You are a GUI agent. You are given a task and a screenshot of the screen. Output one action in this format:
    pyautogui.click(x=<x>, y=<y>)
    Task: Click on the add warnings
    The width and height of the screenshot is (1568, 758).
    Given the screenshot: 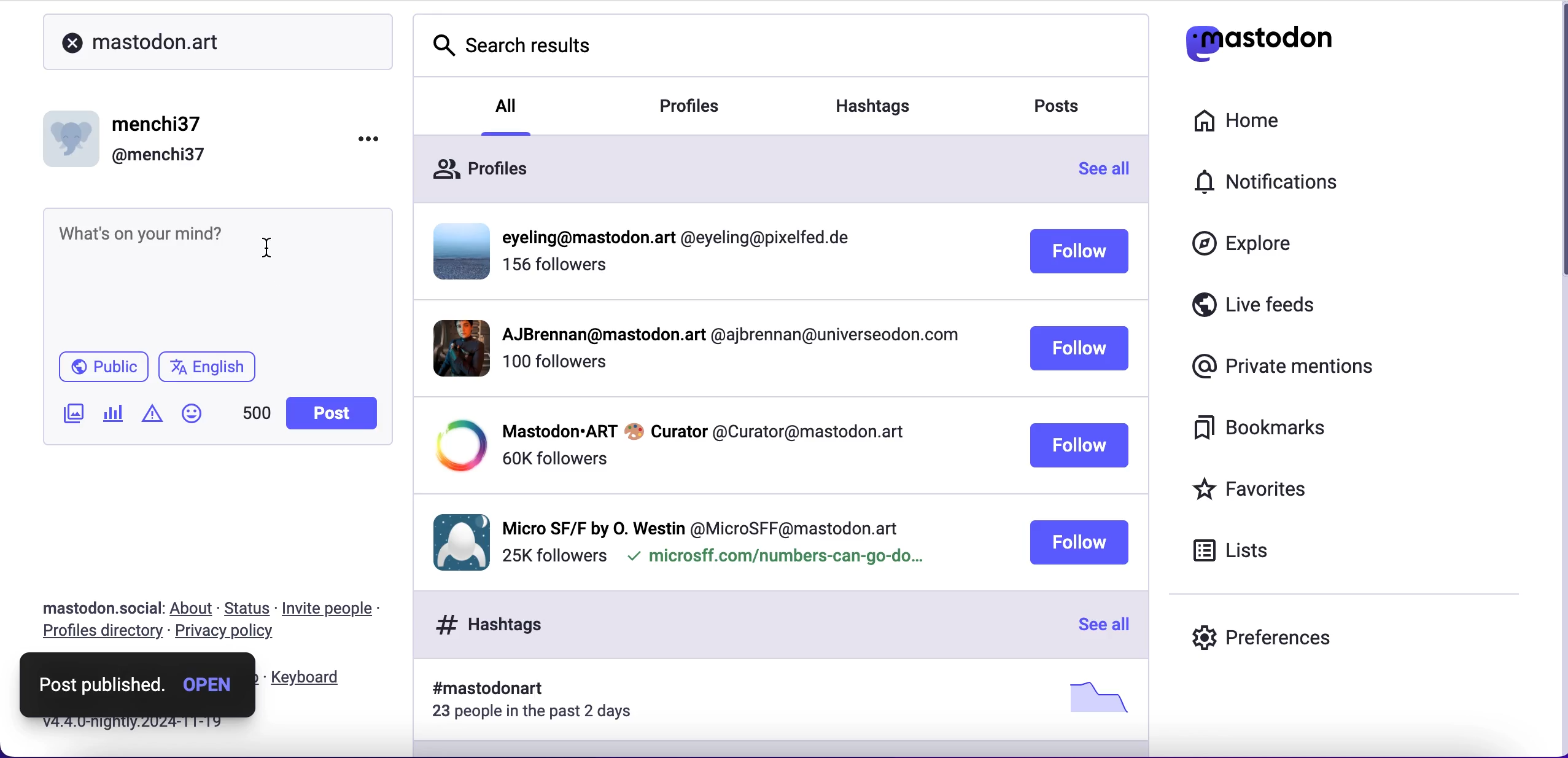 What is the action you would take?
    pyautogui.click(x=152, y=418)
    